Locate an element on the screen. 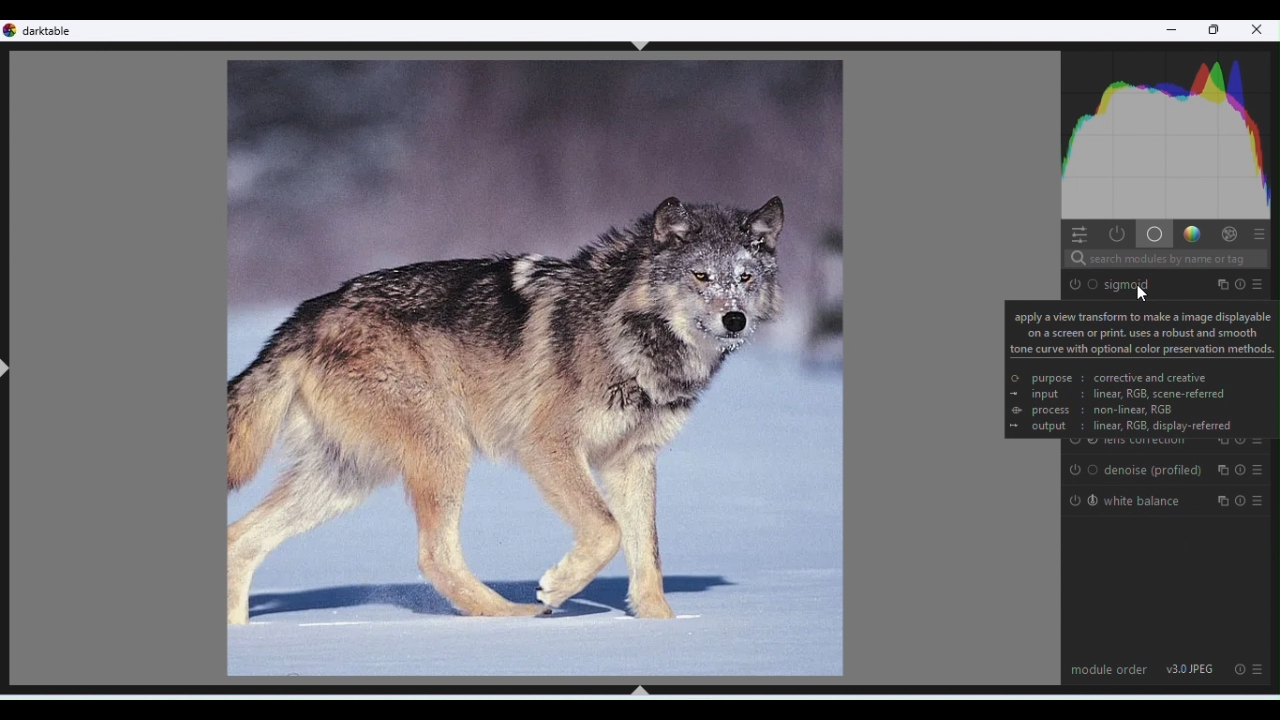 The image size is (1280, 720). Restore is located at coordinates (1216, 31).